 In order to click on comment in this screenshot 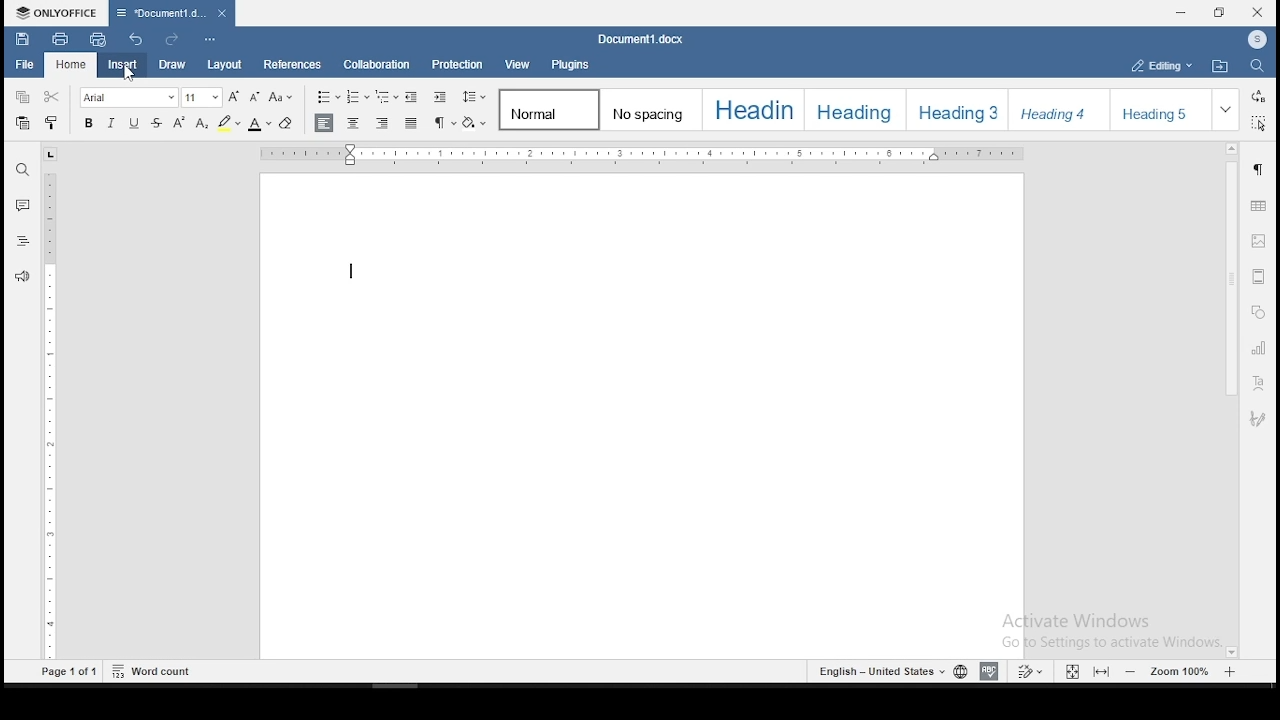, I will do `click(22, 203)`.